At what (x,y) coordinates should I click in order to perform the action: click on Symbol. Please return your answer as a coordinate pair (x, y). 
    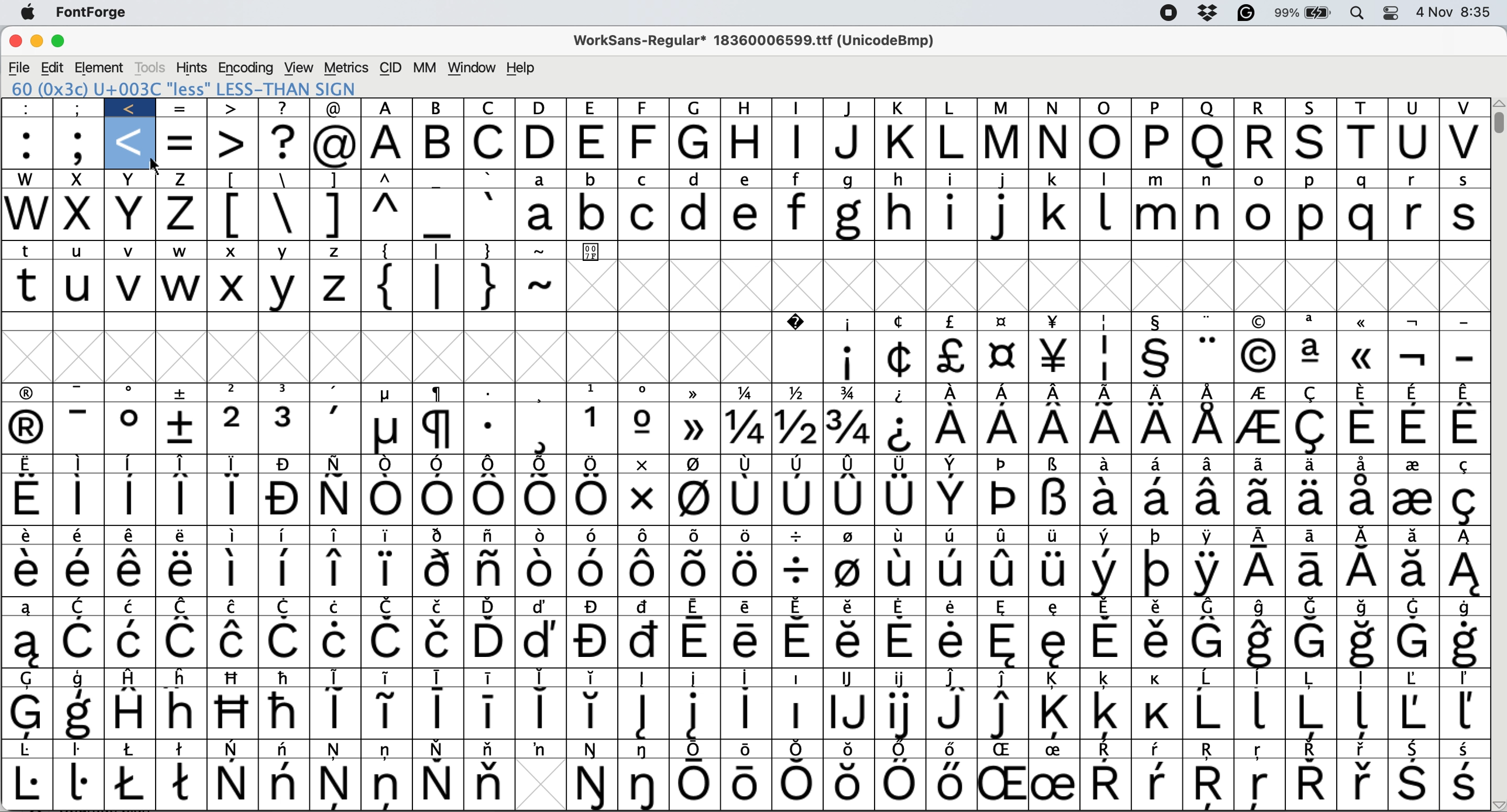
    Looking at the image, I should click on (1107, 320).